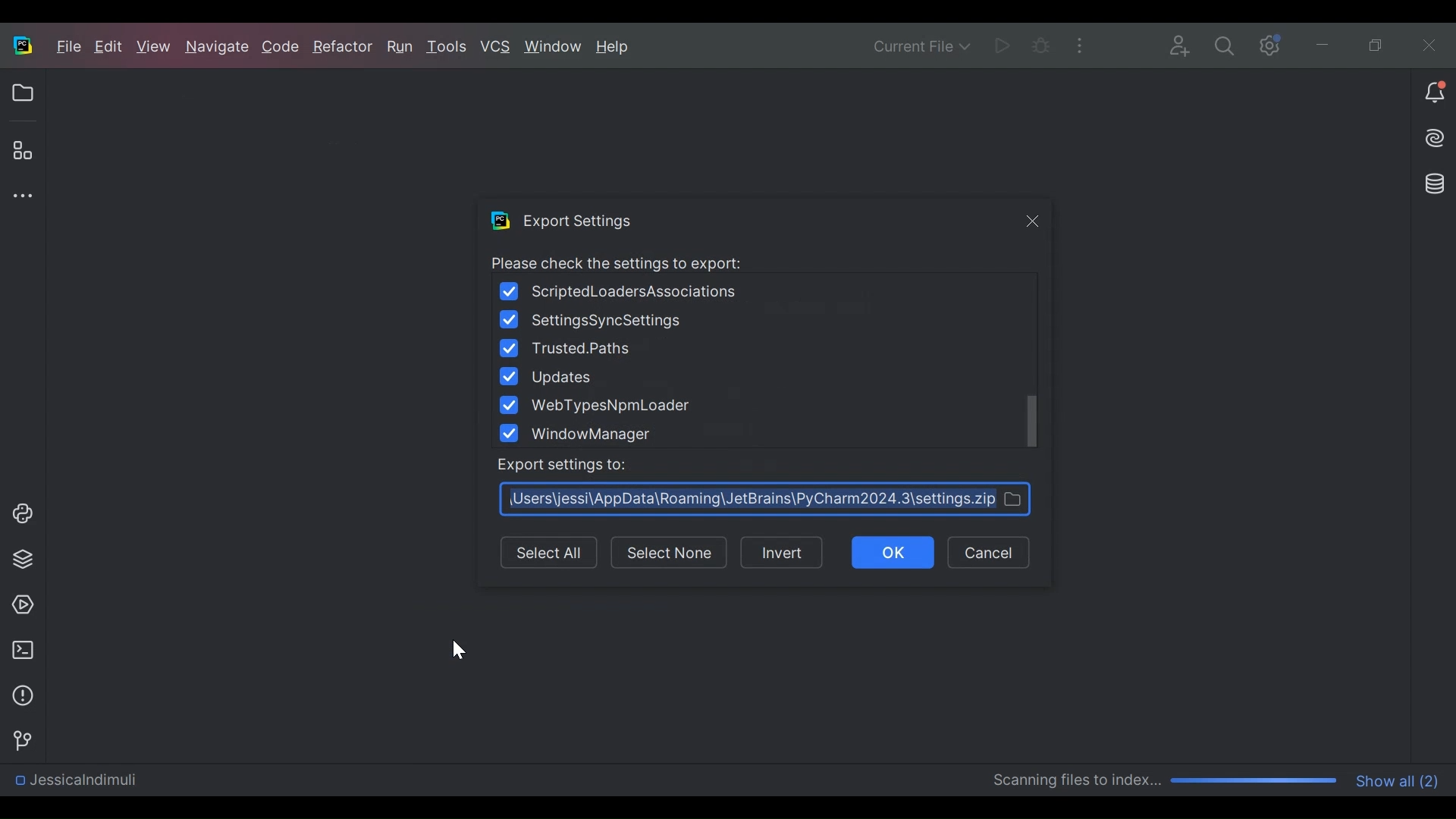  Describe the element at coordinates (765, 499) in the screenshot. I see `Browse` at that location.